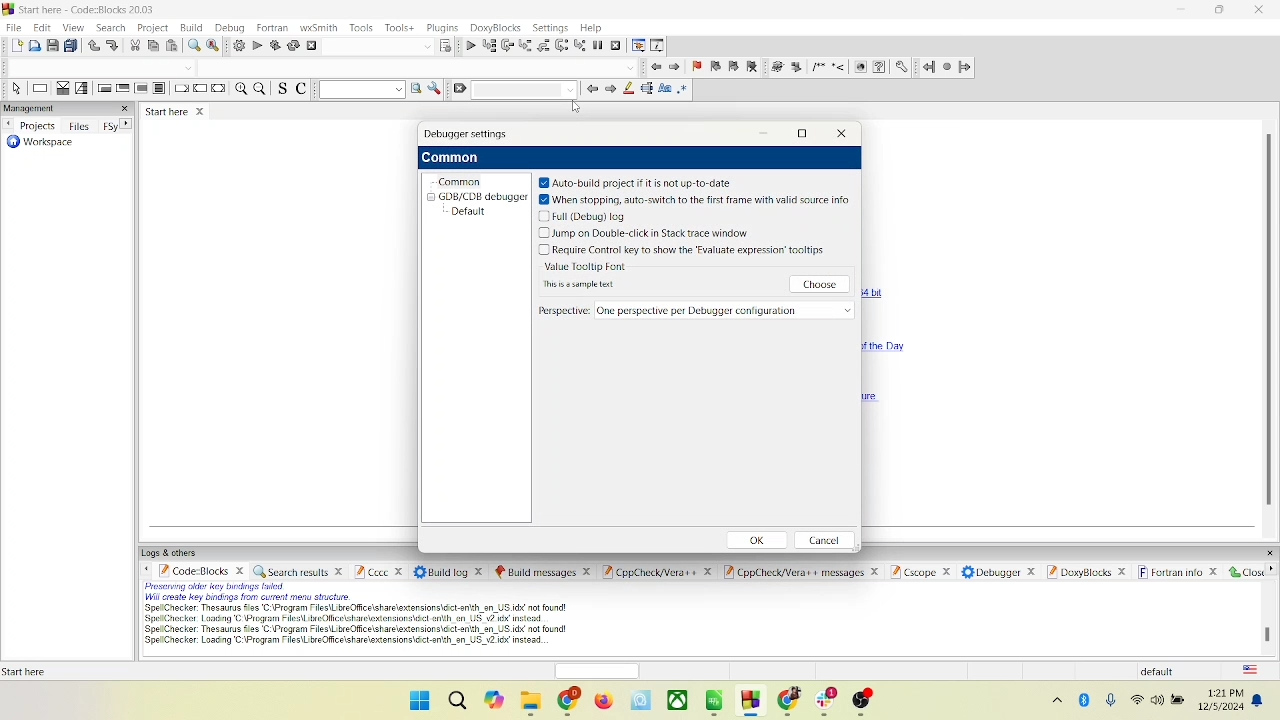  What do you see at coordinates (1055, 703) in the screenshot?
I see `hidden icons` at bounding box center [1055, 703].